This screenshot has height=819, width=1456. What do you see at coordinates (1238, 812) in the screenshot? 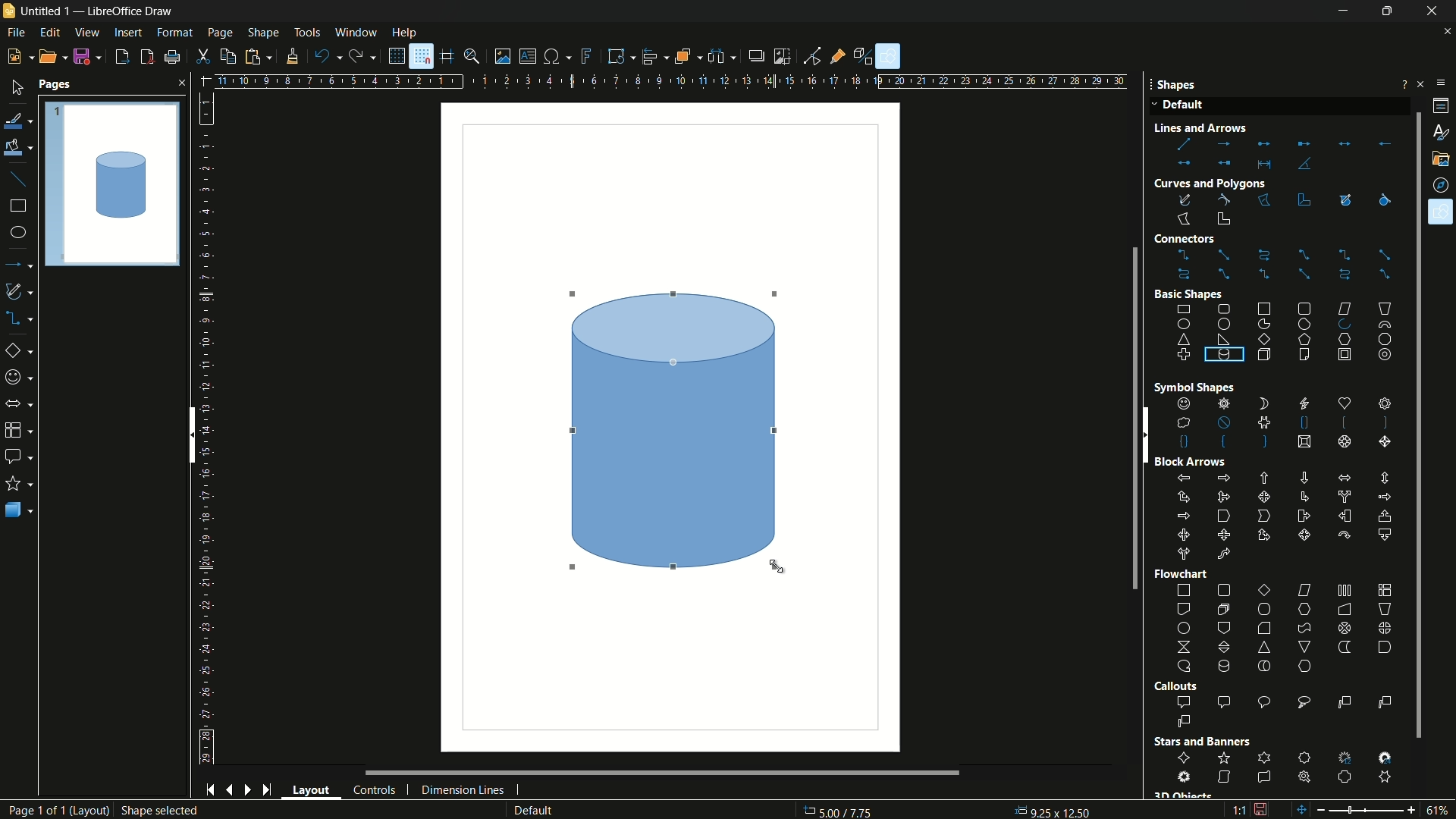
I see `scaling factor` at bounding box center [1238, 812].